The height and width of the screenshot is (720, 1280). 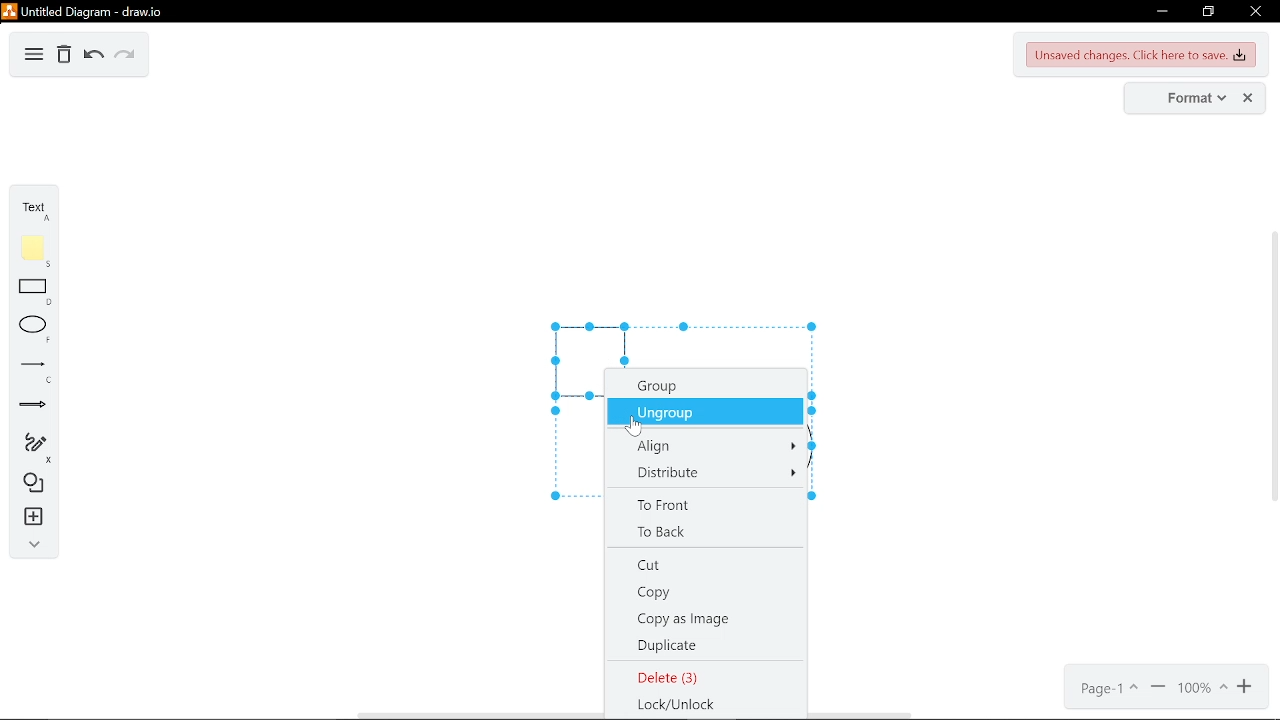 What do you see at coordinates (1157, 688) in the screenshot?
I see `zoom out` at bounding box center [1157, 688].